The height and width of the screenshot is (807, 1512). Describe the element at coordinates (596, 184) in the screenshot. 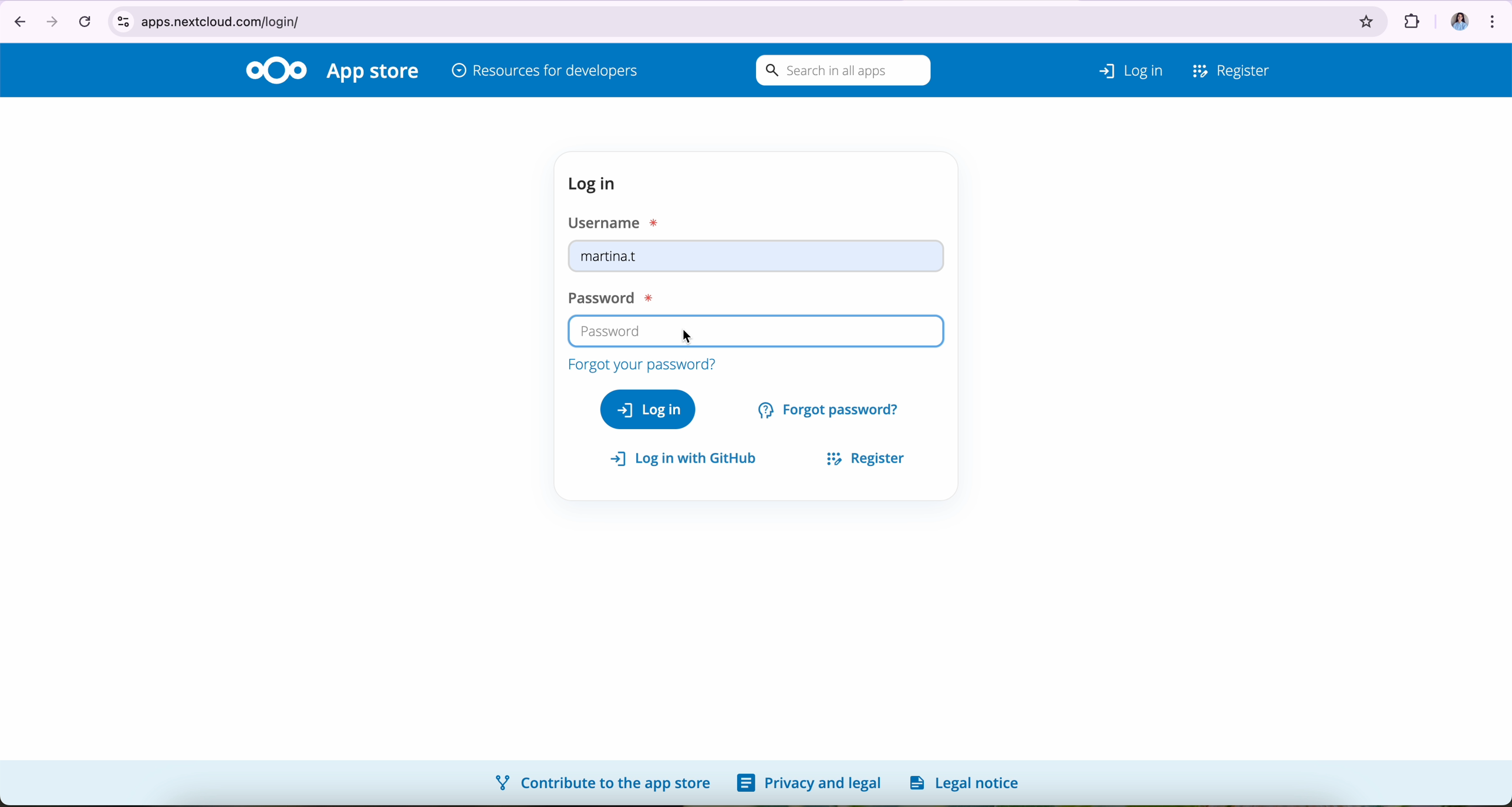

I see `log in` at that location.